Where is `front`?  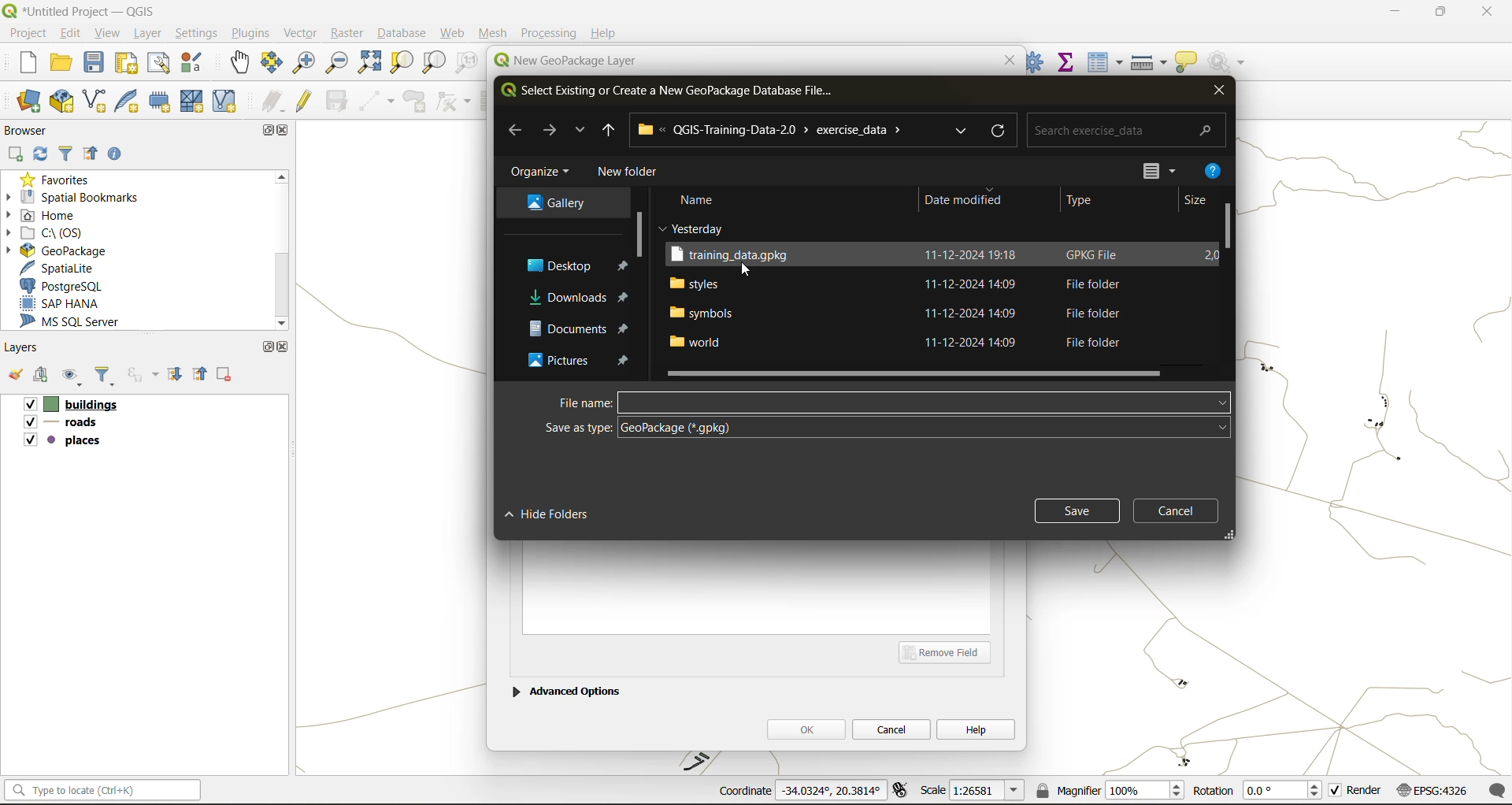
front is located at coordinates (549, 131).